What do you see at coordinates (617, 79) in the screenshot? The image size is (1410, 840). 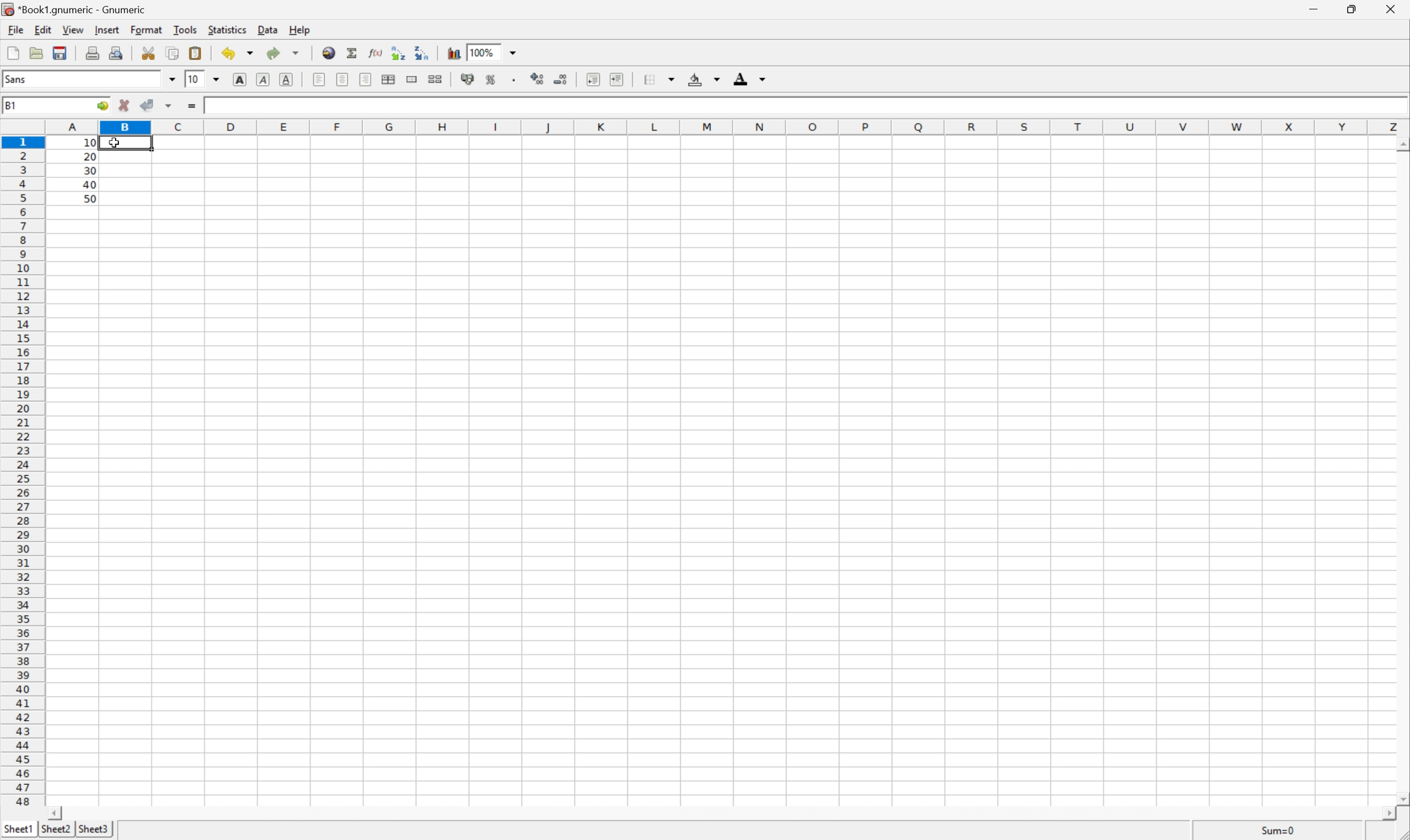 I see `Increase indent, and align the contents to the left` at bounding box center [617, 79].